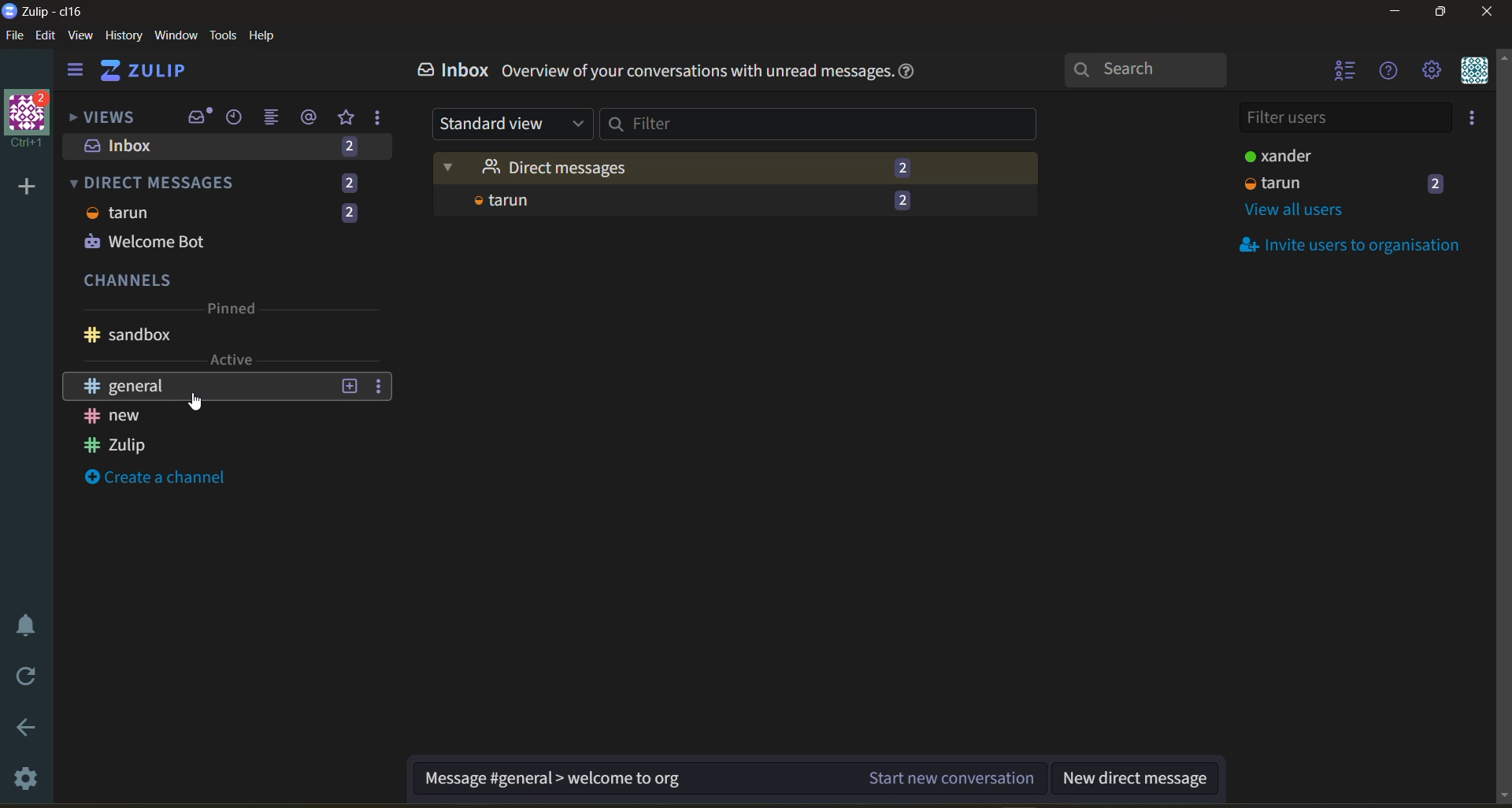 The width and height of the screenshot is (1512, 808). I want to click on filter users, so click(1349, 116).